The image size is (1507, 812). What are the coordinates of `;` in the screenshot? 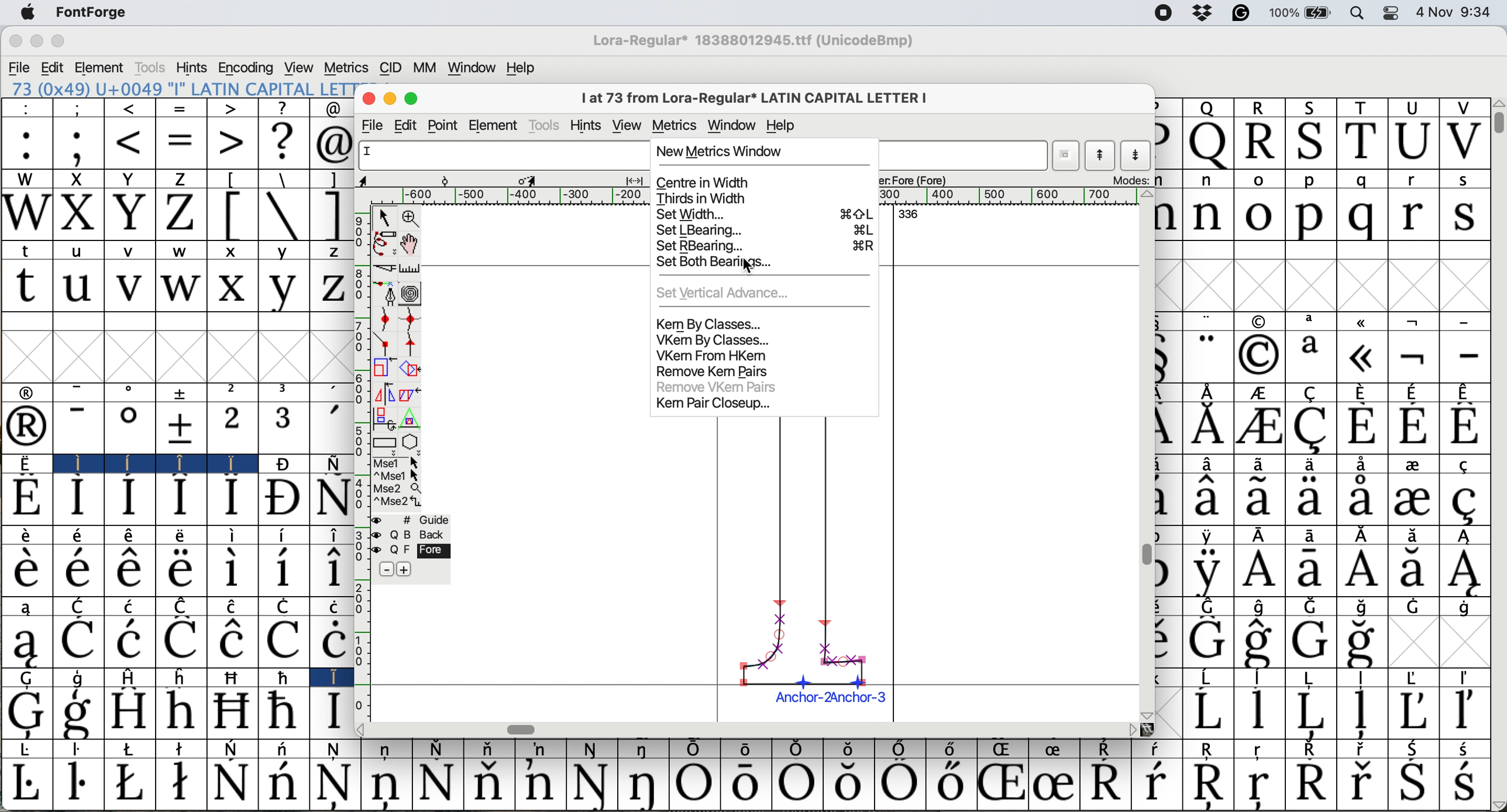 It's located at (80, 108).